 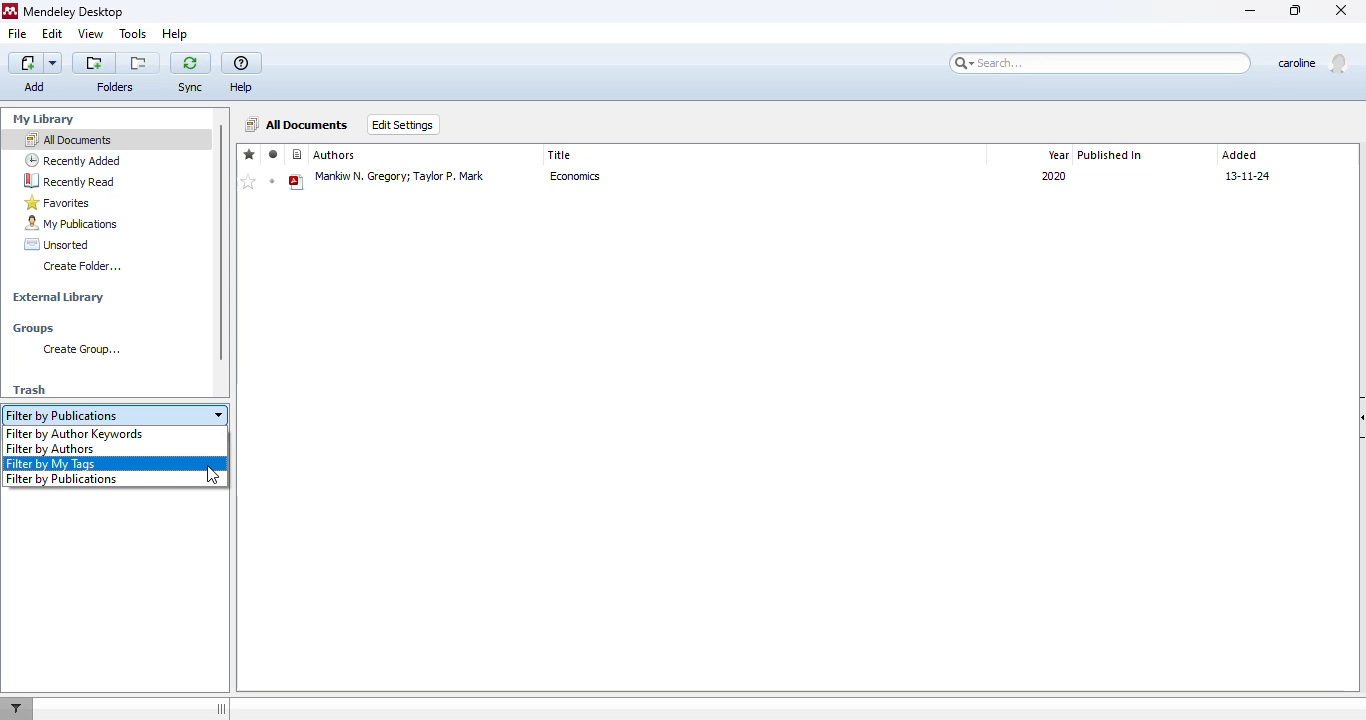 I want to click on folders, so click(x=114, y=87).